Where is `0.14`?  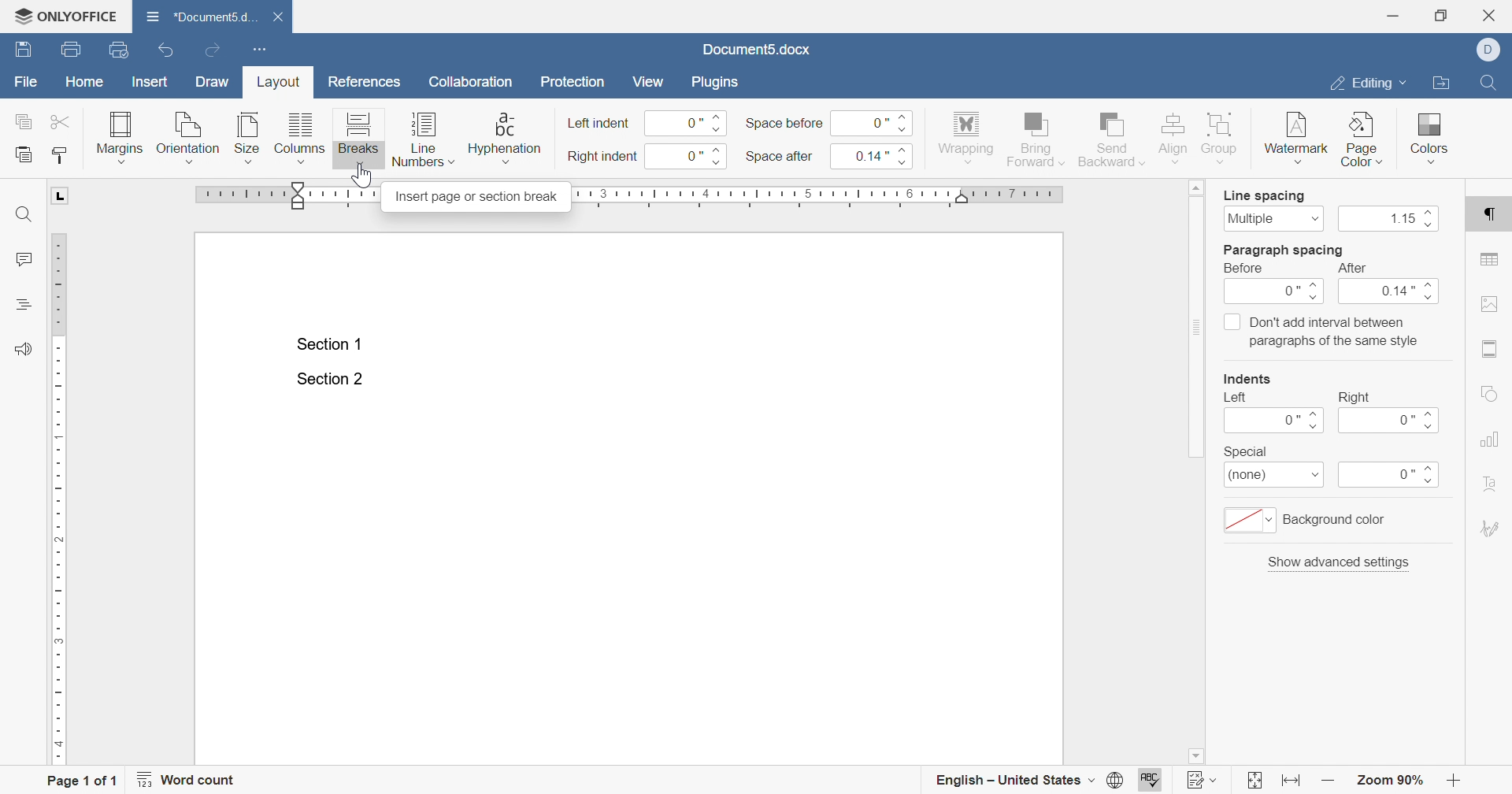
0.14 is located at coordinates (1392, 293).